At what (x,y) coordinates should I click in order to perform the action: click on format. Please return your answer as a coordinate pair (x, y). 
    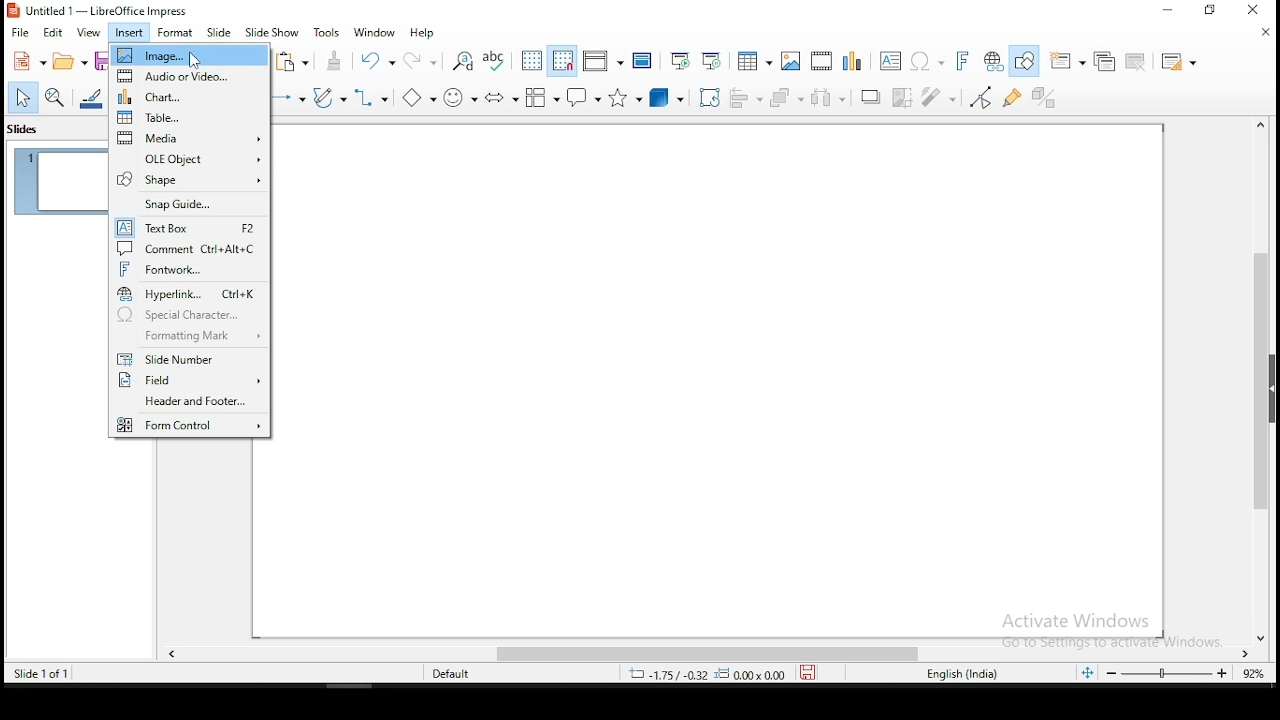
    Looking at the image, I should click on (176, 36).